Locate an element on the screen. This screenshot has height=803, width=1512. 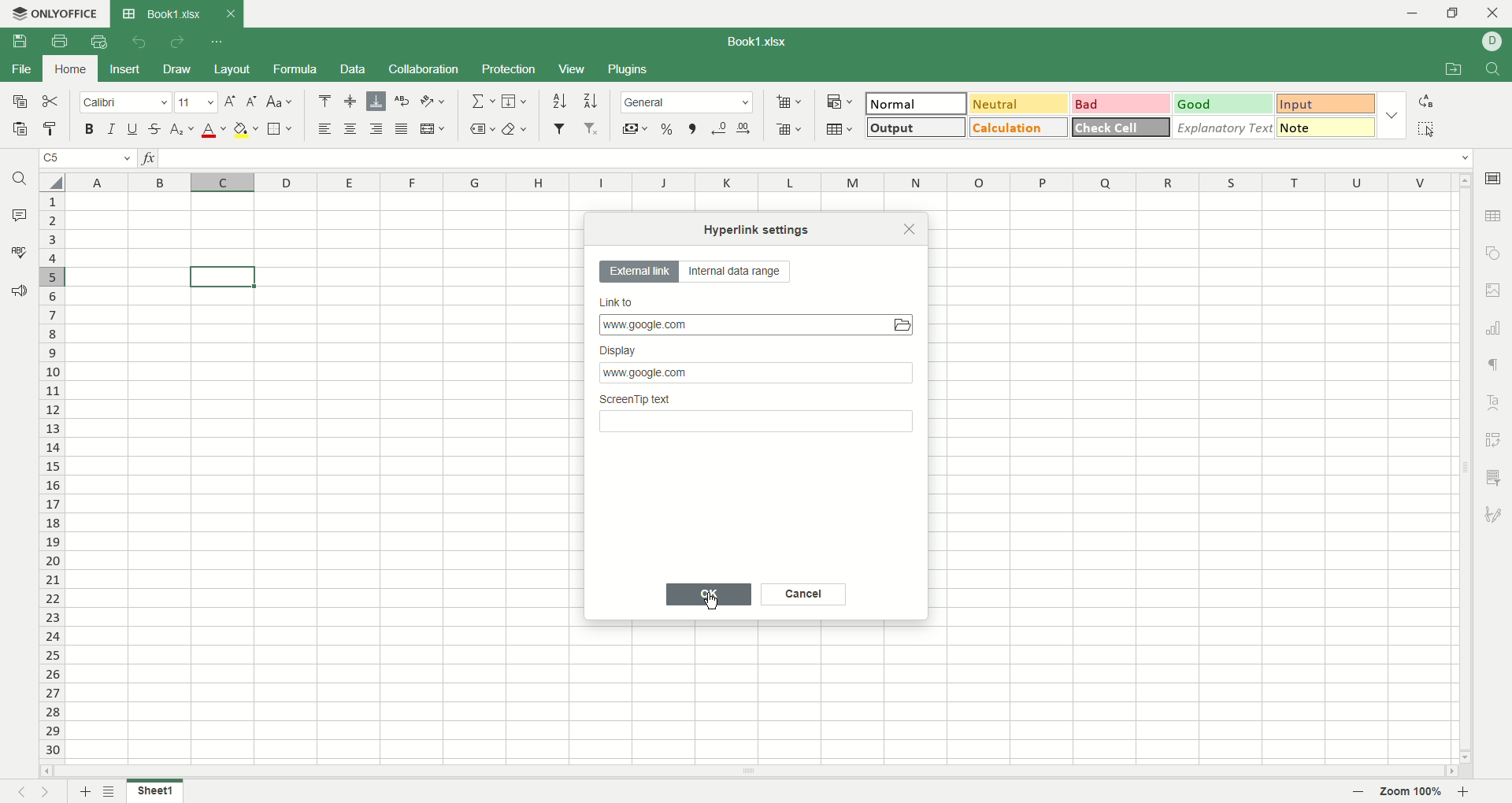
merge and center is located at coordinates (434, 128).